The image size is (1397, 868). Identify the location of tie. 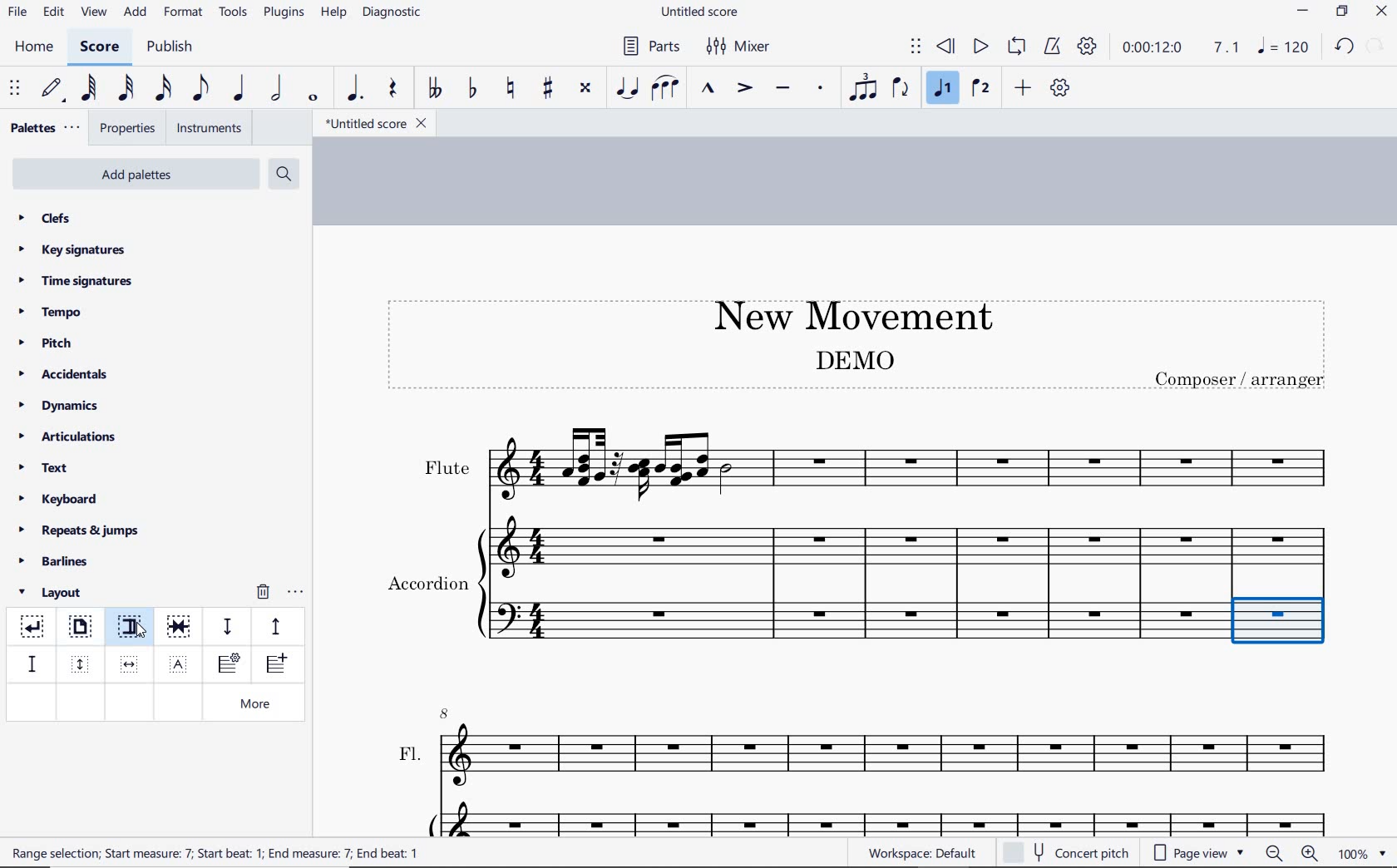
(629, 89).